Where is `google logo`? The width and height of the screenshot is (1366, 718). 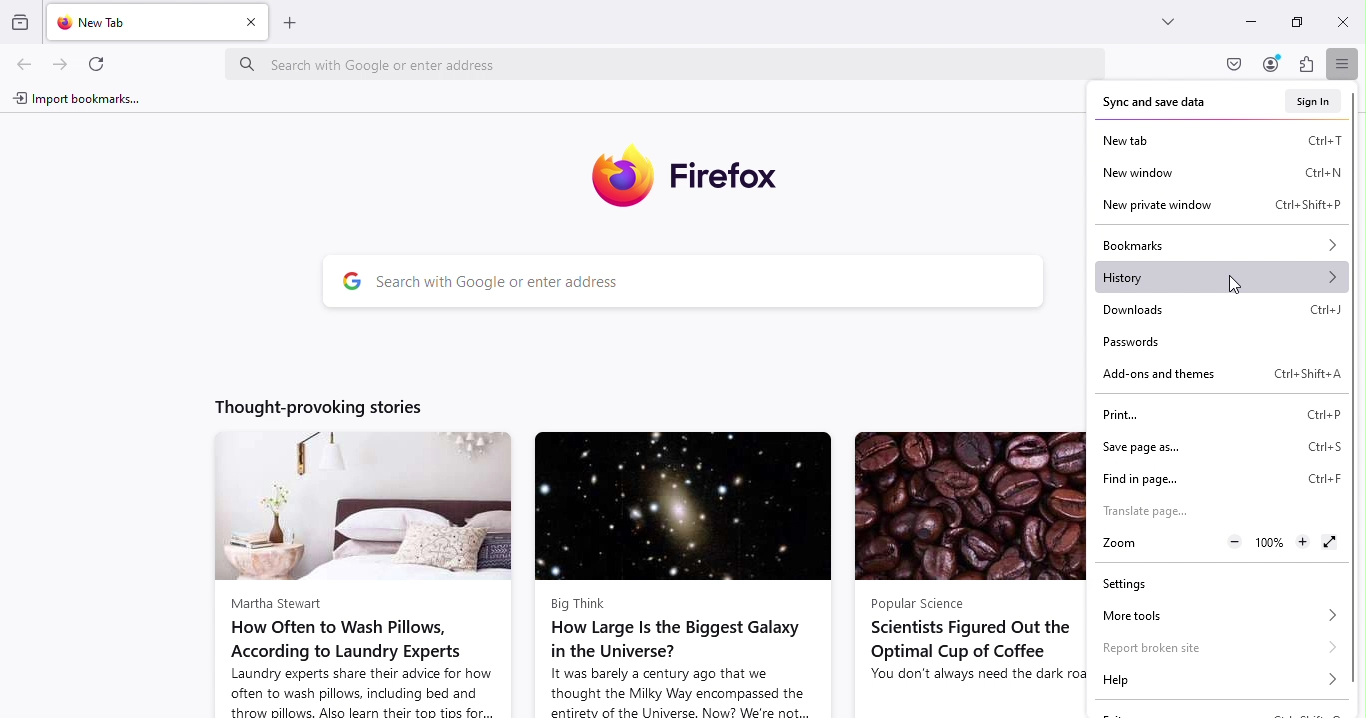 google logo is located at coordinates (345, 284).